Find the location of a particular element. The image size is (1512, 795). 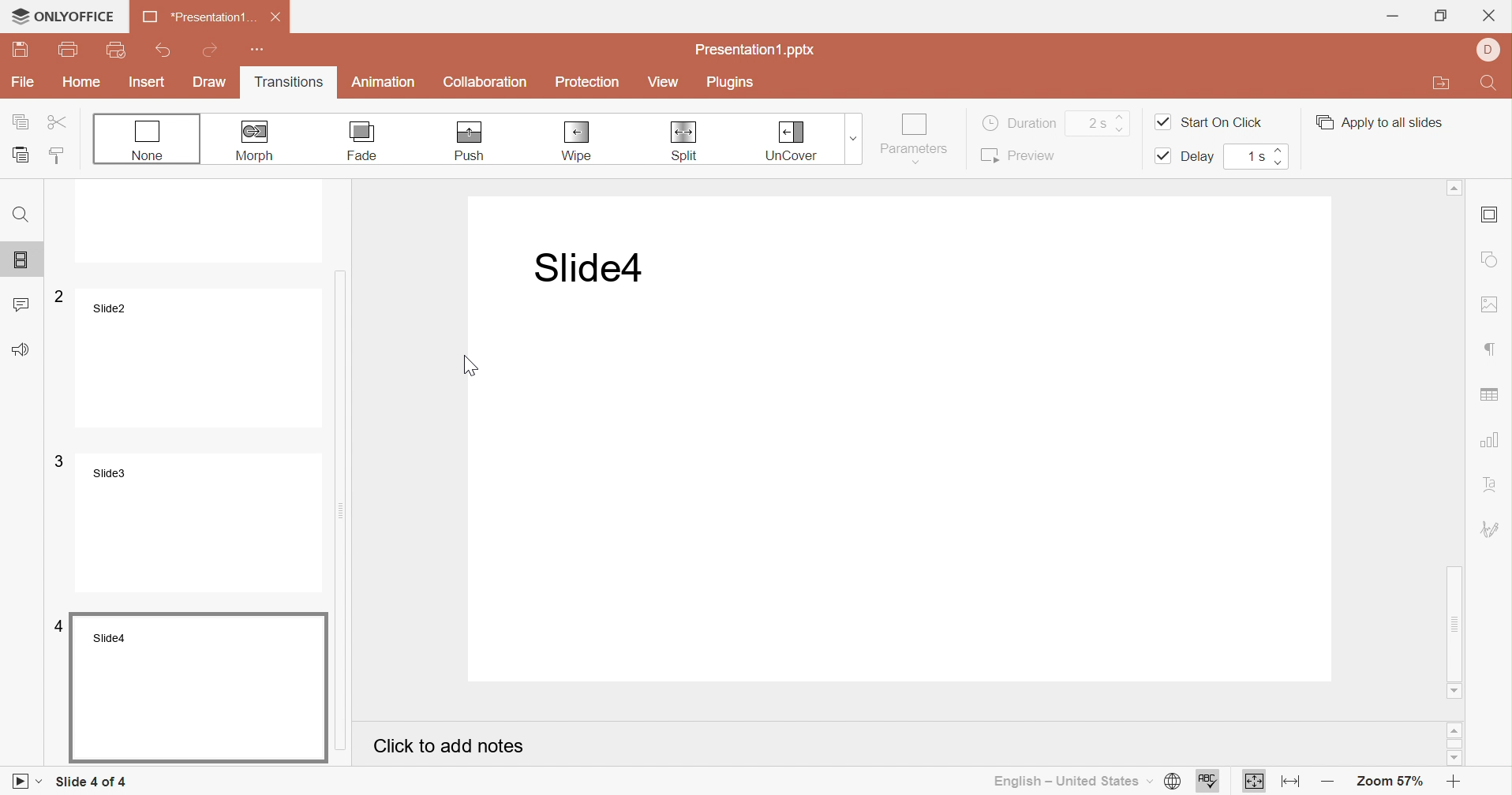

2s is located at coordinates (1106, 121).